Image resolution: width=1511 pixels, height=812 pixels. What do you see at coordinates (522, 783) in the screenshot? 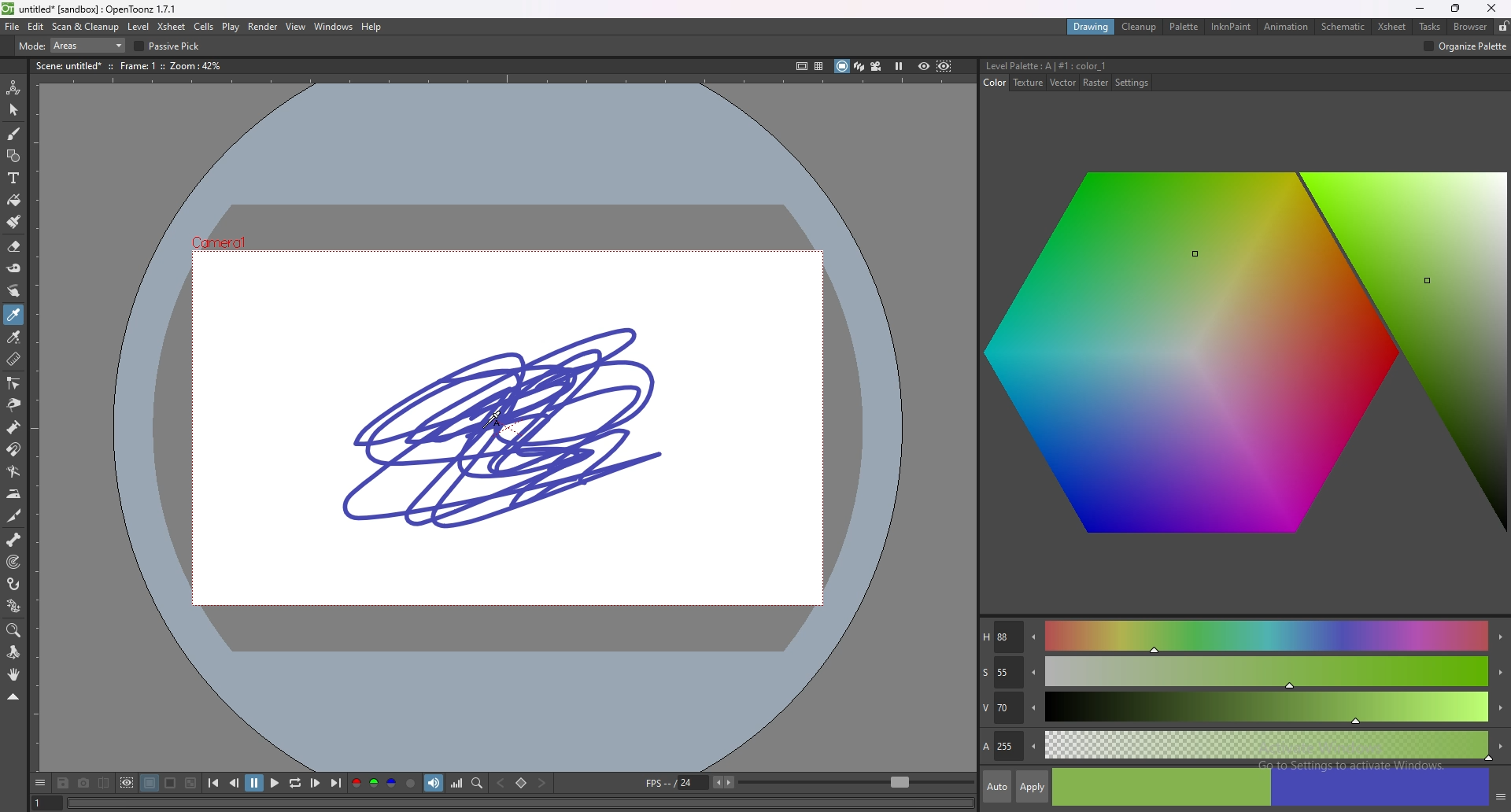
I see `set key` at bounding box center [522, 783].